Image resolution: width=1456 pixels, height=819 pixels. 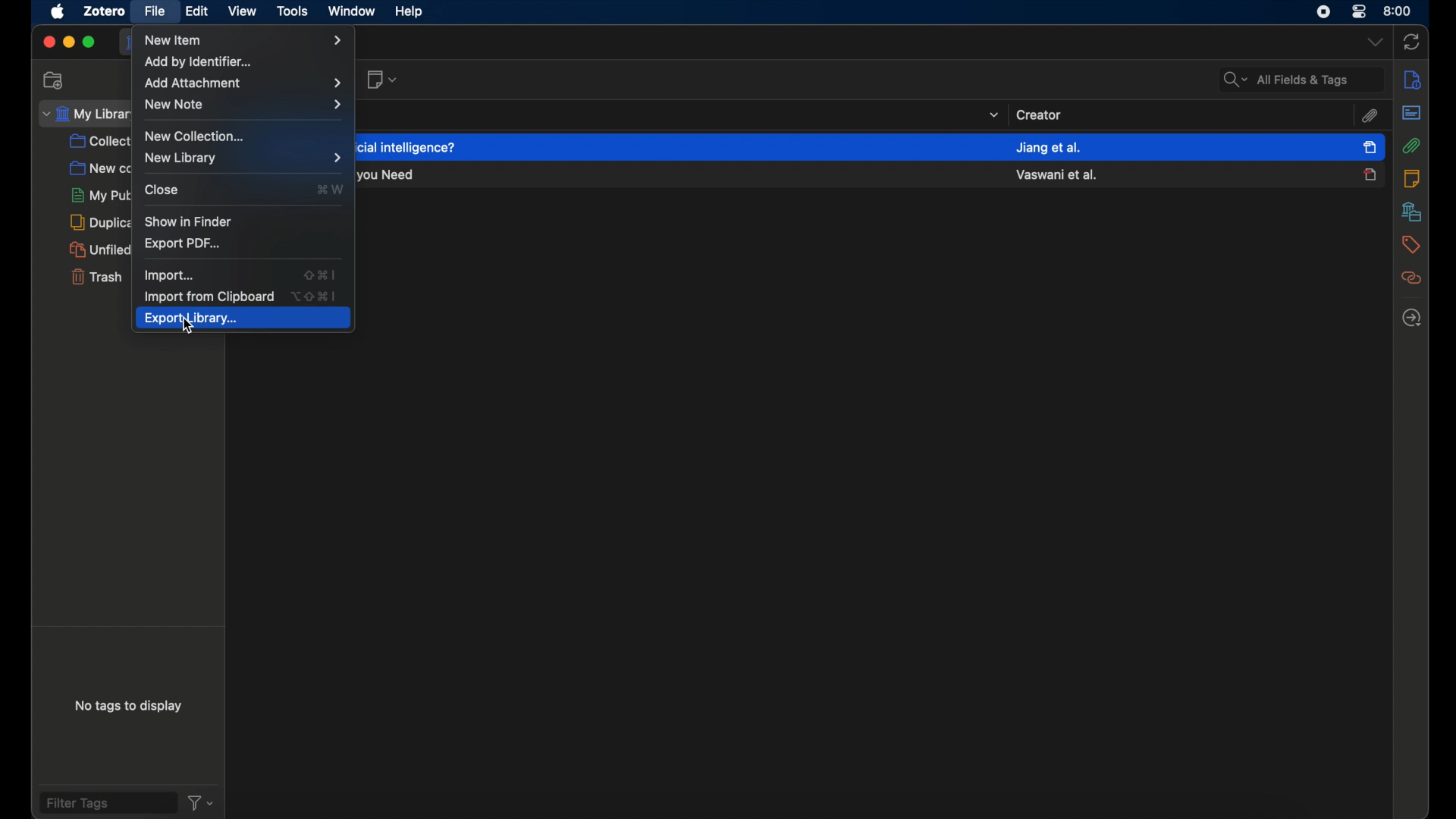 What do you see at coordinates (242, 105) in the screenshot?
I see `new note menu` at bounding box center [242, 105].